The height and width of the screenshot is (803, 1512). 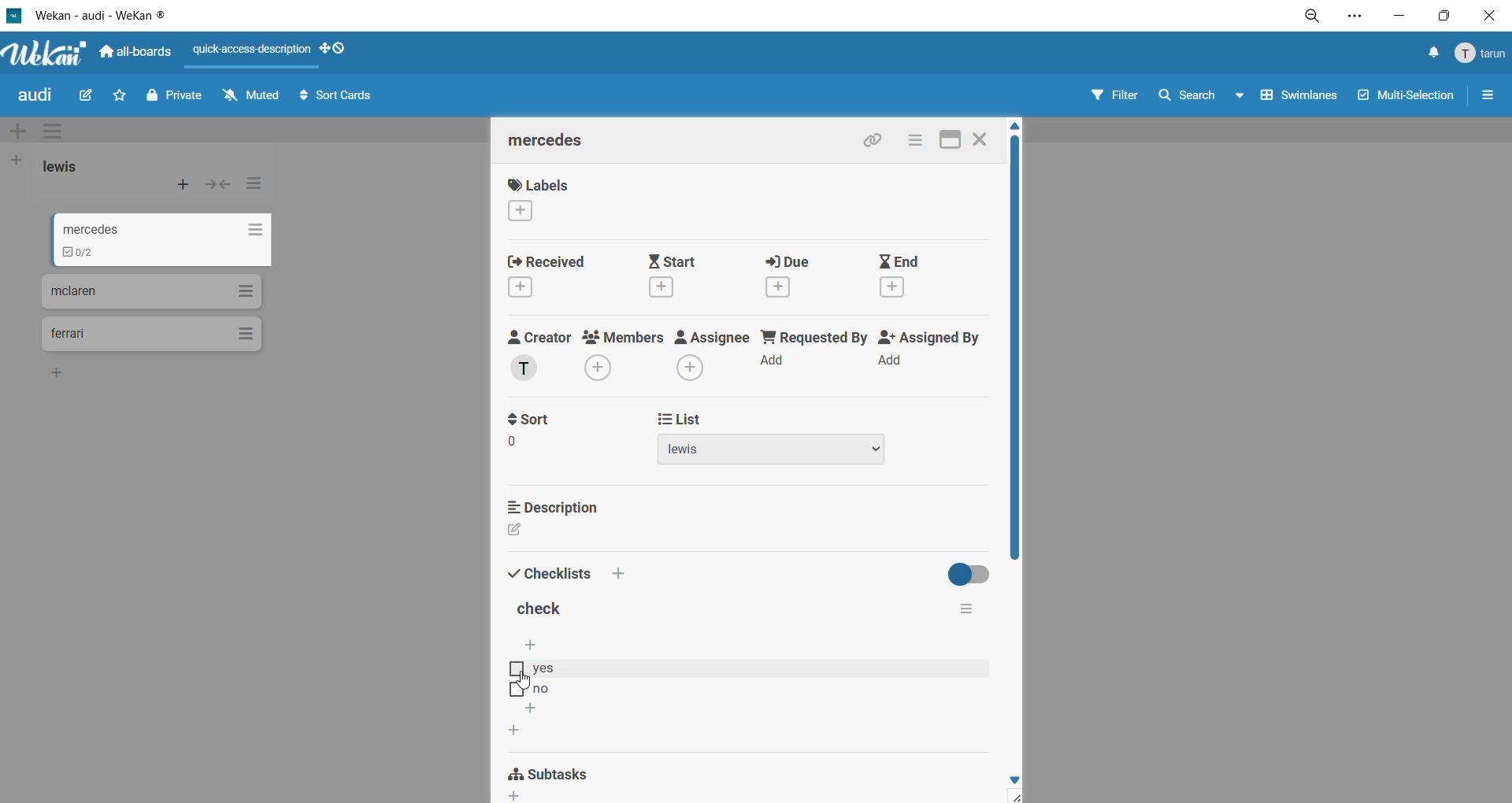 What do you see at coordinates (217, 187) in the screenshot?
I see `collapse` at bounding box center [217, 187].